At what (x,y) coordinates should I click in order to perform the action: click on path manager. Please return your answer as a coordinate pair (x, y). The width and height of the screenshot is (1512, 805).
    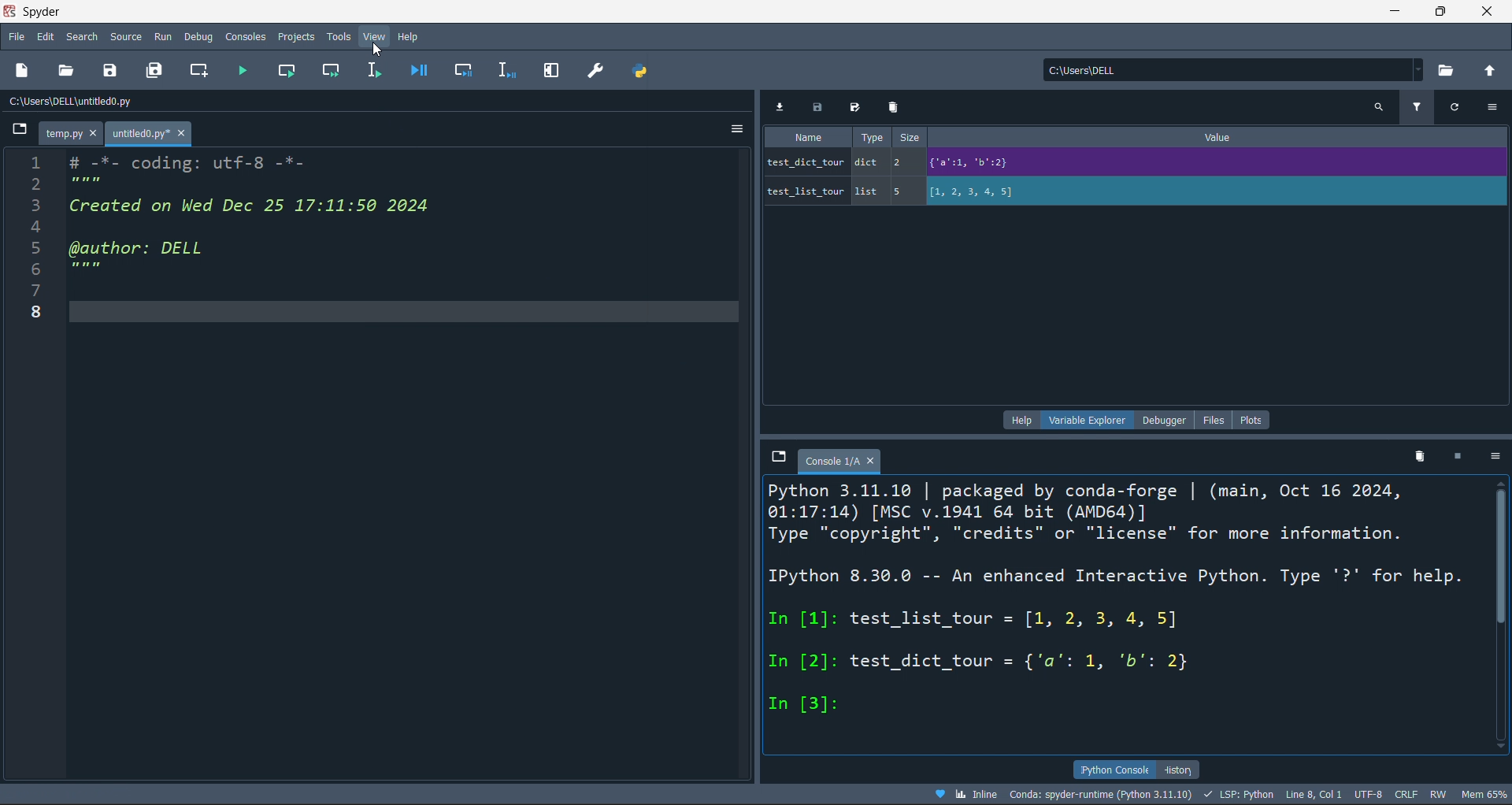
    Looking at the image, I should click on (640, 72).